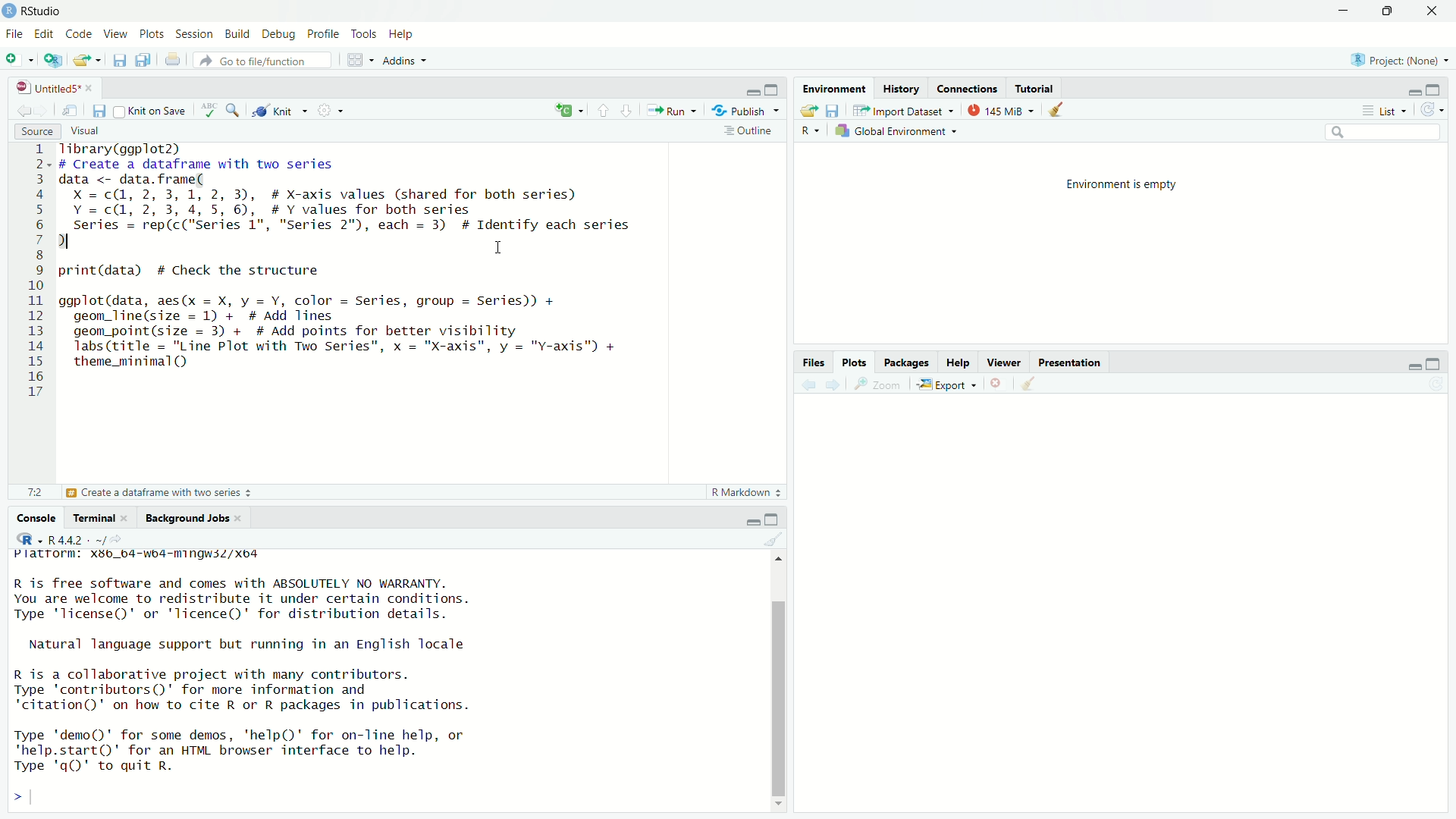 The image size is (1456, 819). Describe the element at coordinates (900, 89) in the screenshot. I see `History` at that location.